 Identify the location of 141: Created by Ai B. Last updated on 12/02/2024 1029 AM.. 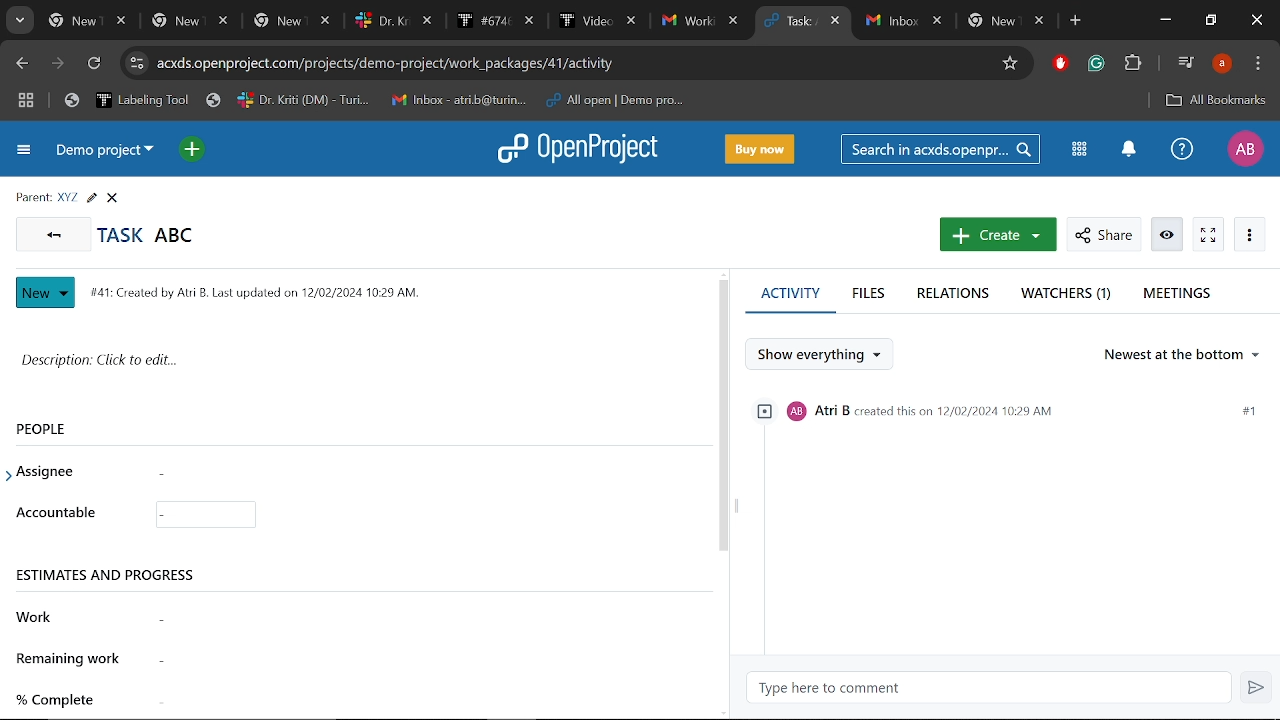
(265, 290).